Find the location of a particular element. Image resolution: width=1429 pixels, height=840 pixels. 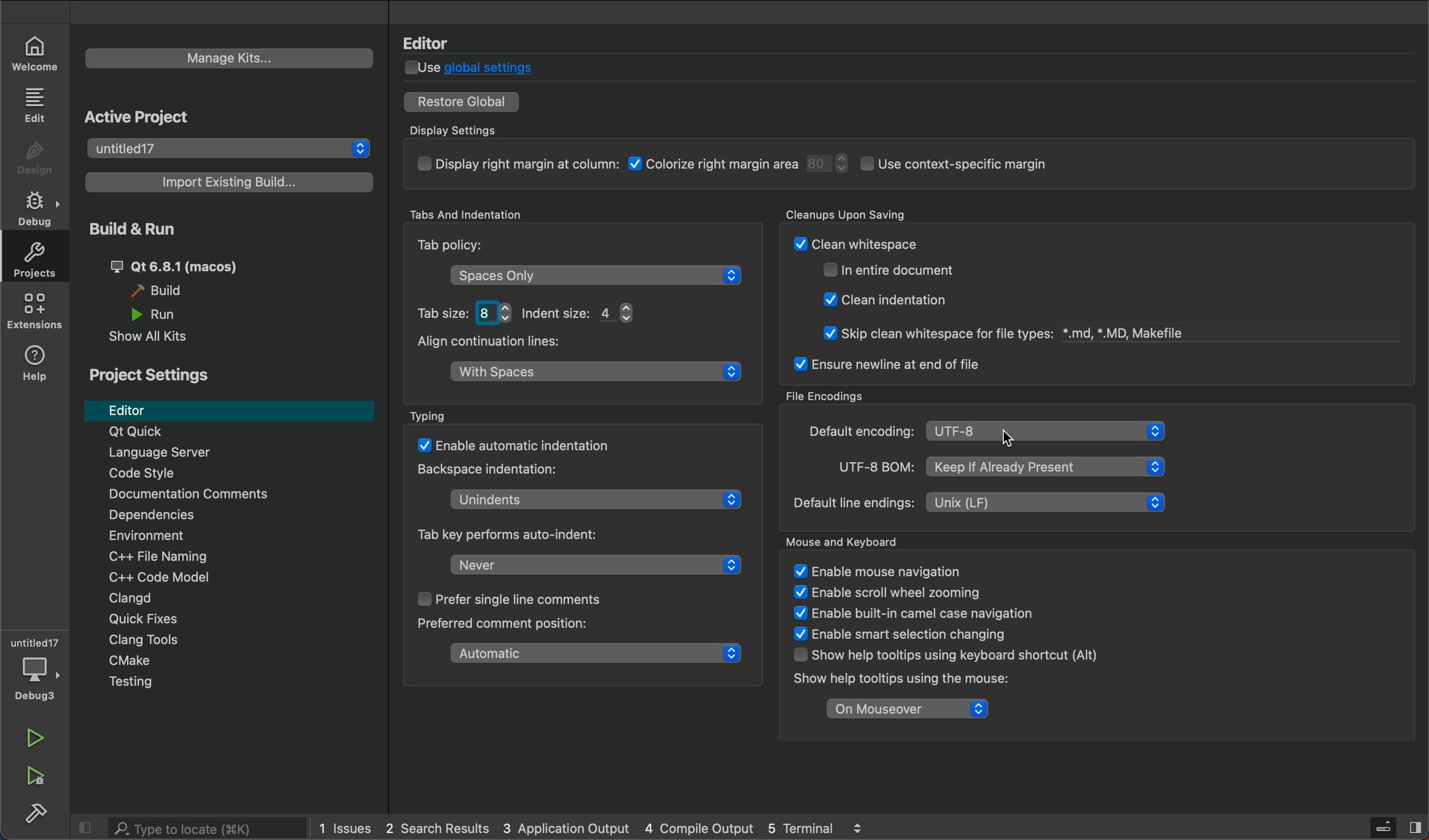

Active Project is located at coordinates (147, 116).